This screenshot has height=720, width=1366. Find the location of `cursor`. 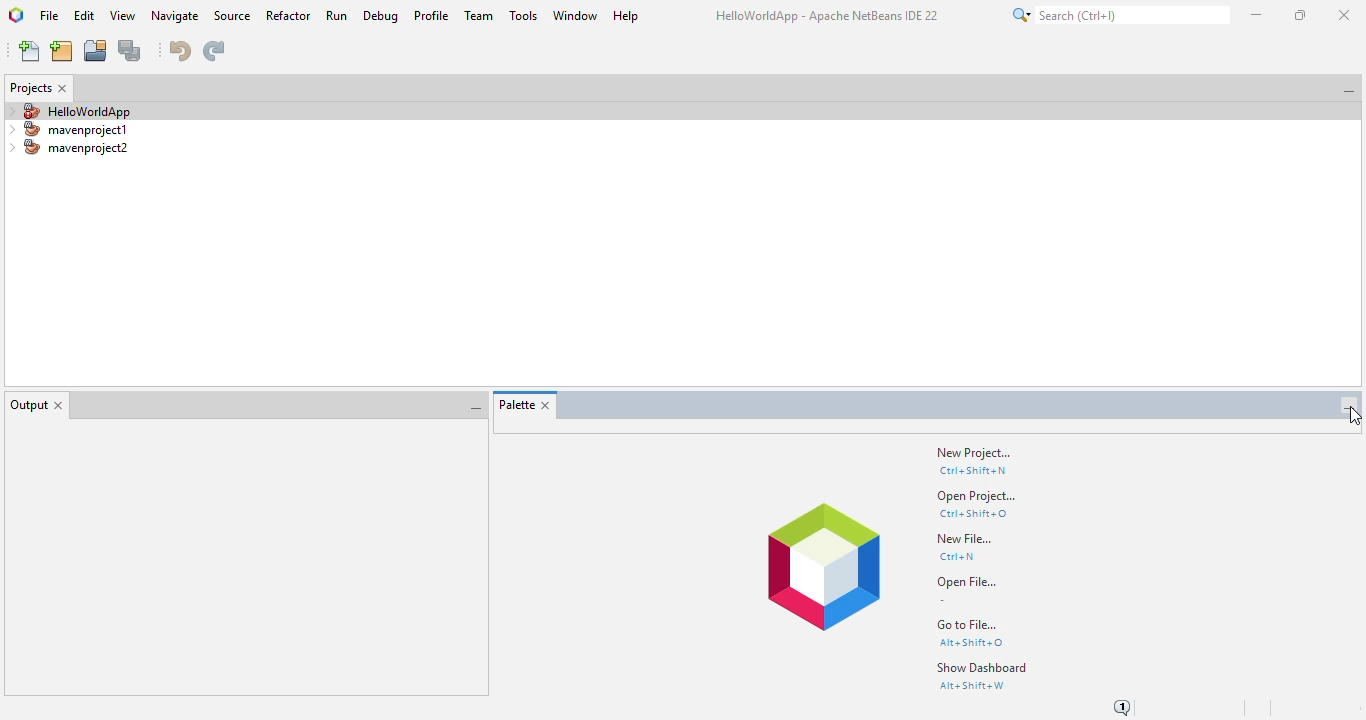

cursor is located at coordinates (1353, 417).